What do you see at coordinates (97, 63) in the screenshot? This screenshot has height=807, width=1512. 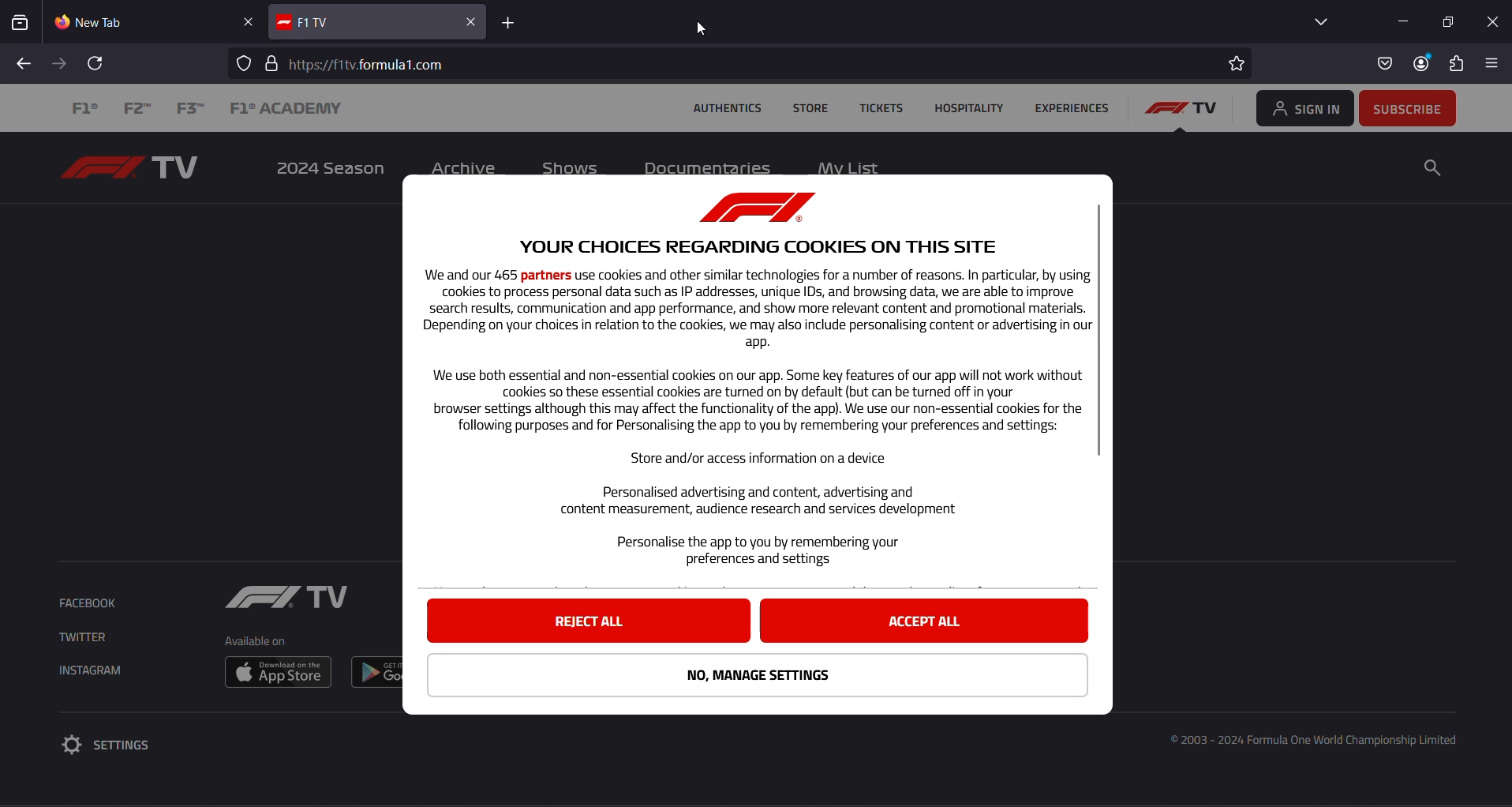 I see `reload current page` at bounding box center [97, 63].